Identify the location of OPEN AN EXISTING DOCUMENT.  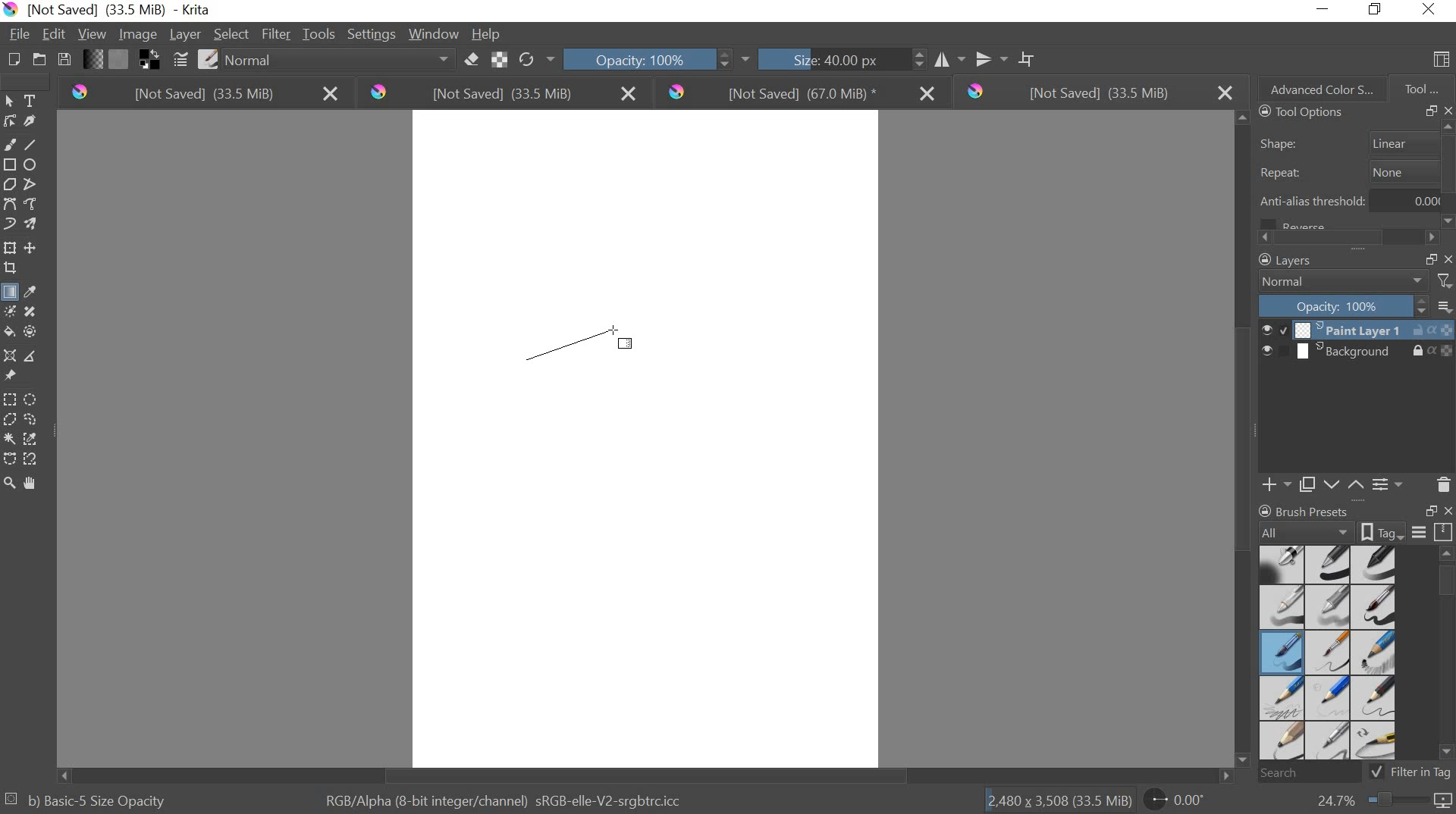
(36, 61).